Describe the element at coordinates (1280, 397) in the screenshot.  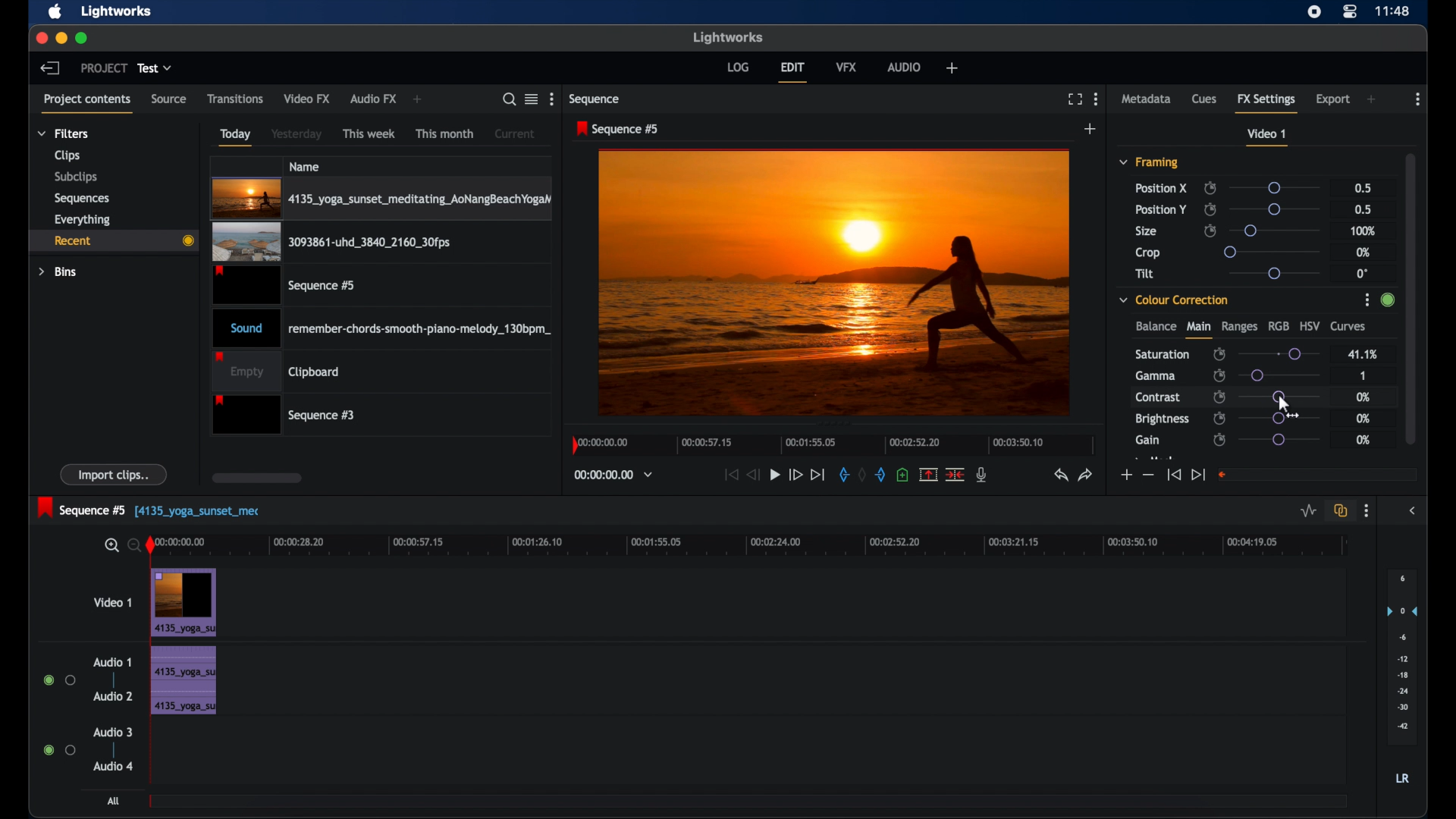
I see `slider` at that location.